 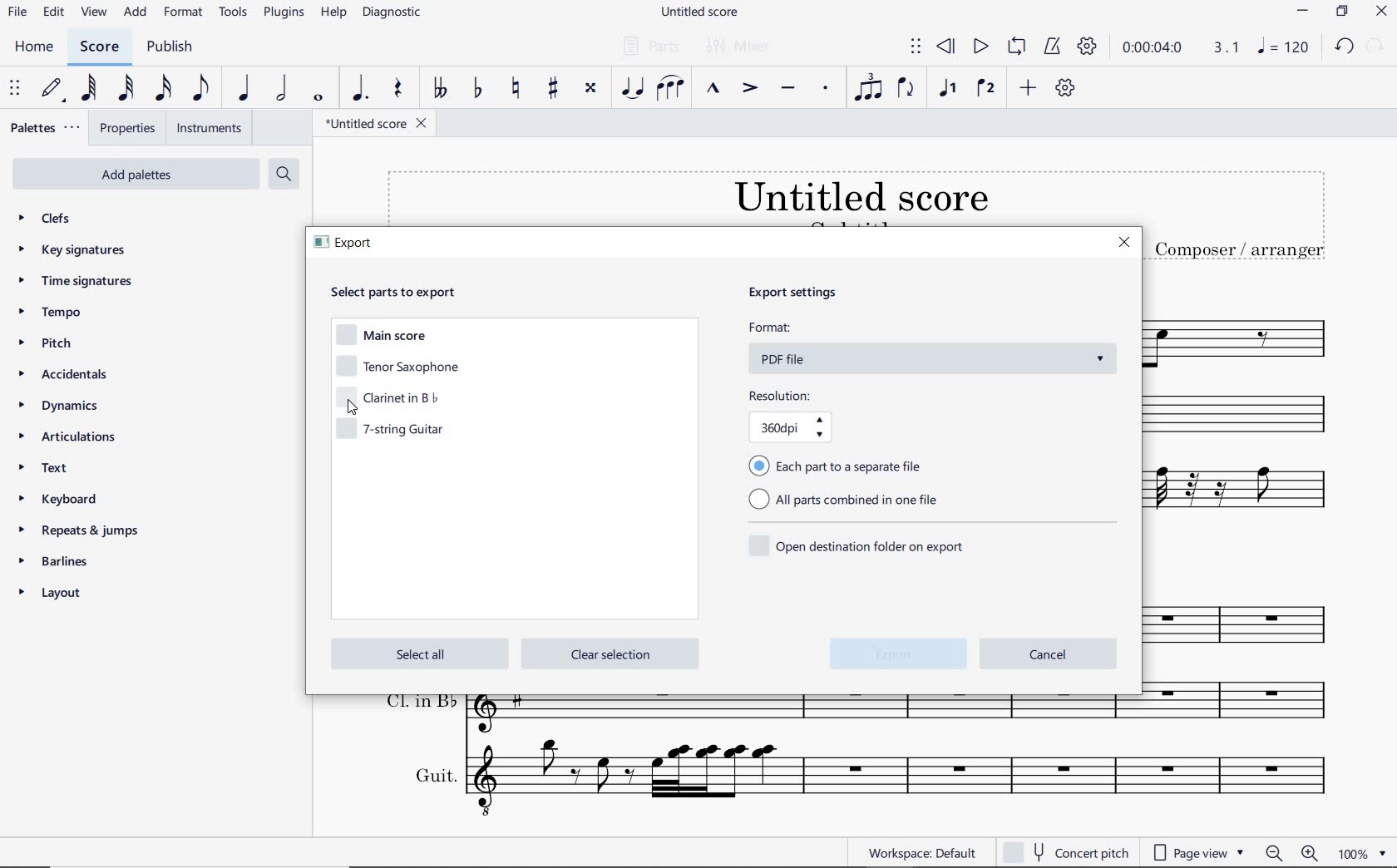 I want to click on pitch, so click(x=47, y=345).